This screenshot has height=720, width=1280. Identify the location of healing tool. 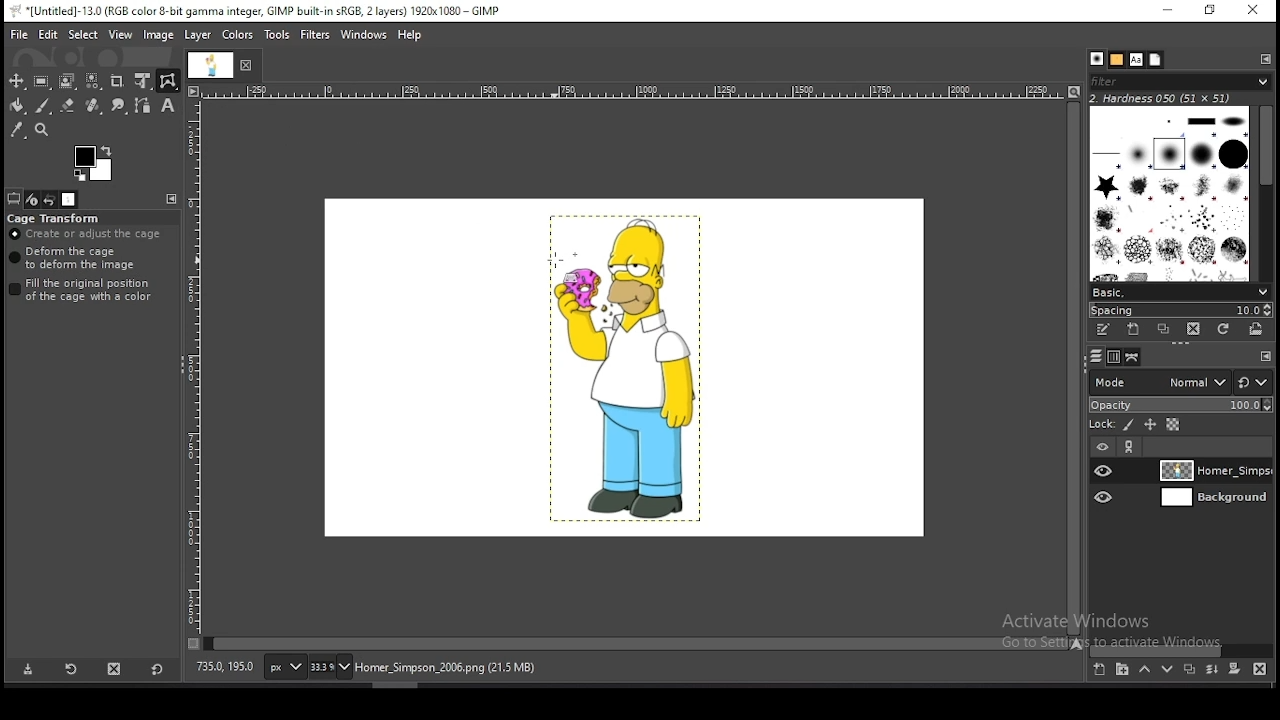
(93, 105).